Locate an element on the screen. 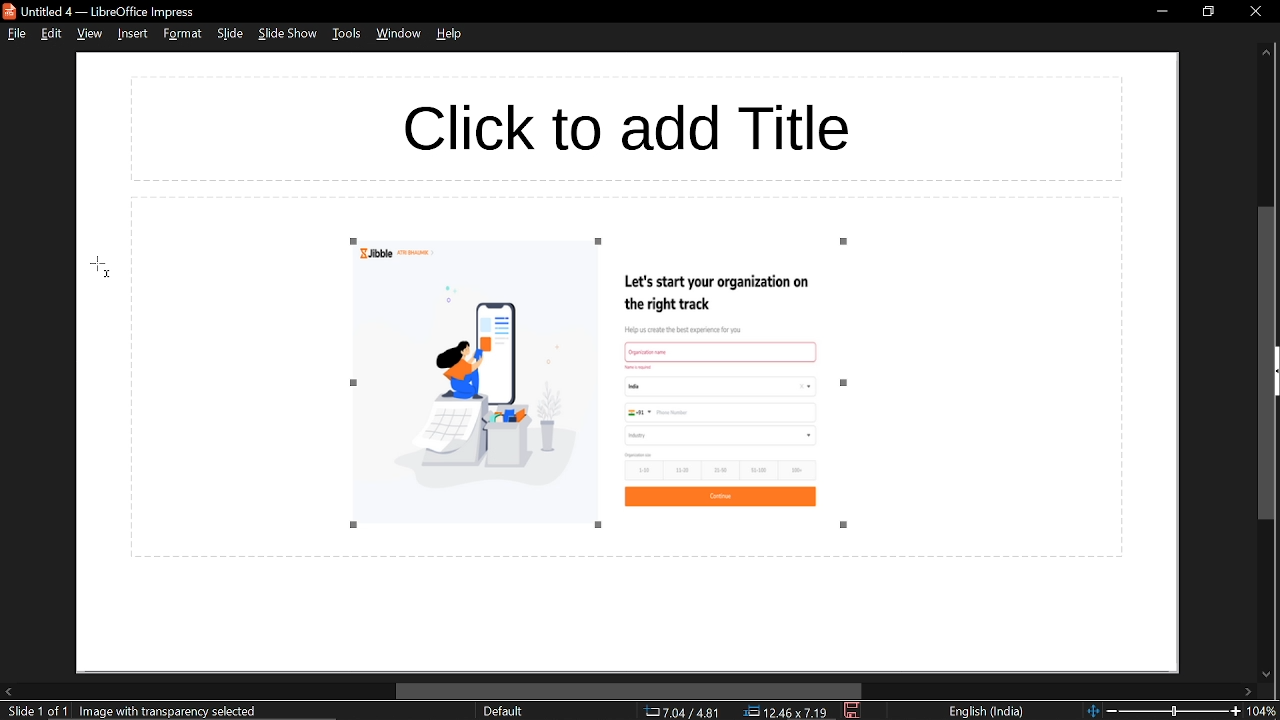 This screenshot has width=1280, height=720.  image resized to 300x300 pixels. is located at coordinates (603, 383).